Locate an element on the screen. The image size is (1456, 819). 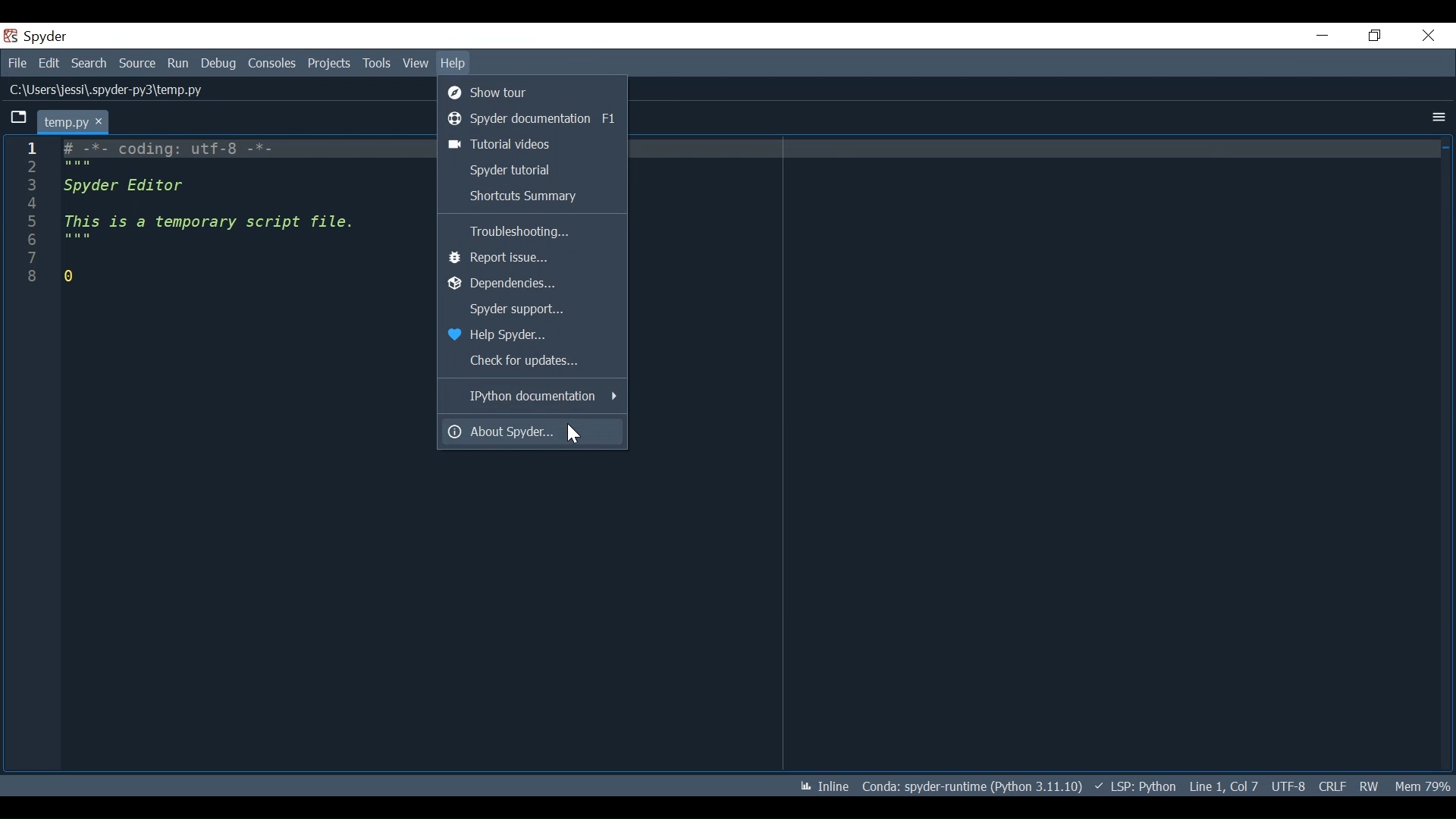
File is located at coordinates (15, 61).